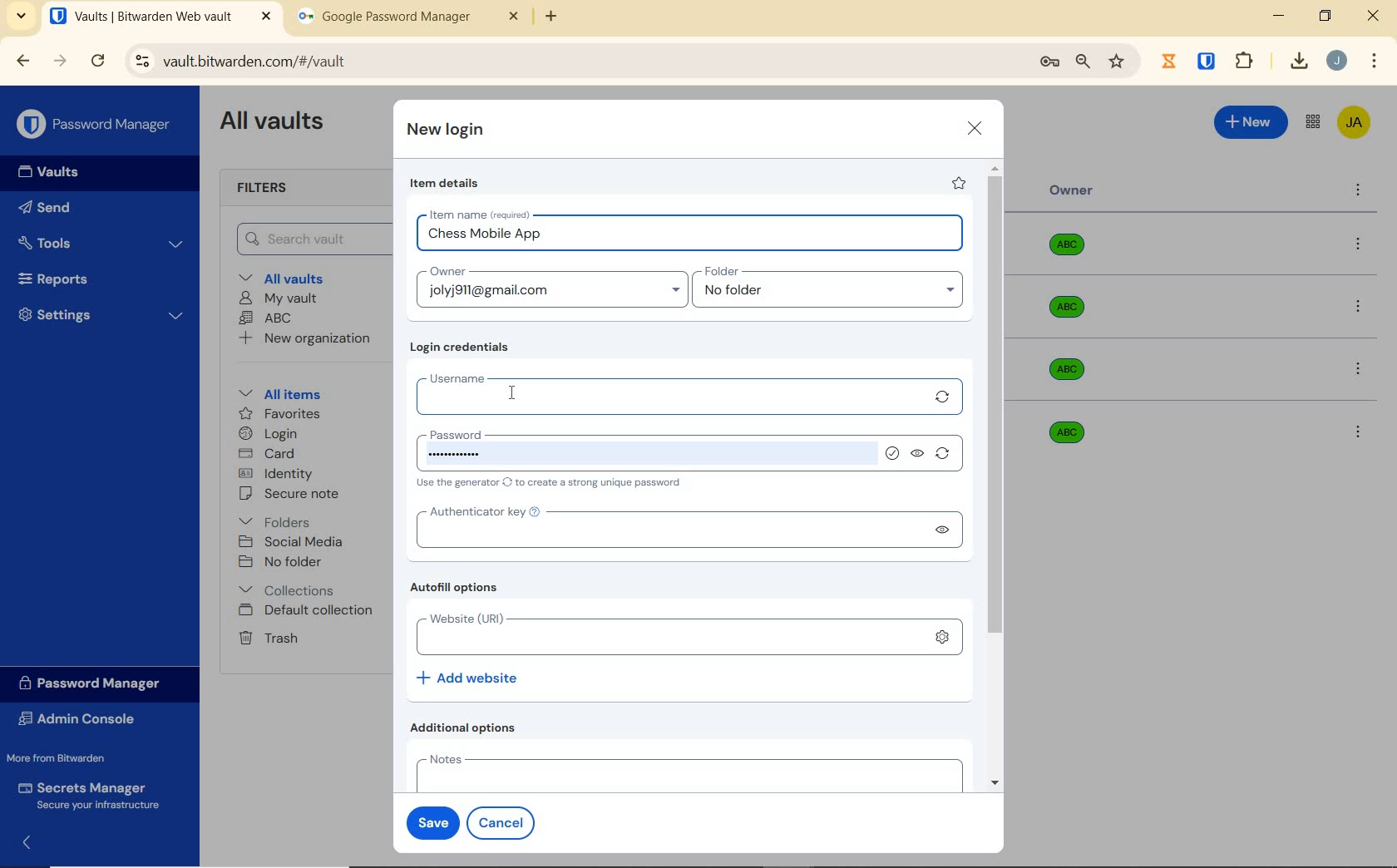  Describe the element at coordinates (1073, 251) in the screenshot. I see `Owner organization` at that location.